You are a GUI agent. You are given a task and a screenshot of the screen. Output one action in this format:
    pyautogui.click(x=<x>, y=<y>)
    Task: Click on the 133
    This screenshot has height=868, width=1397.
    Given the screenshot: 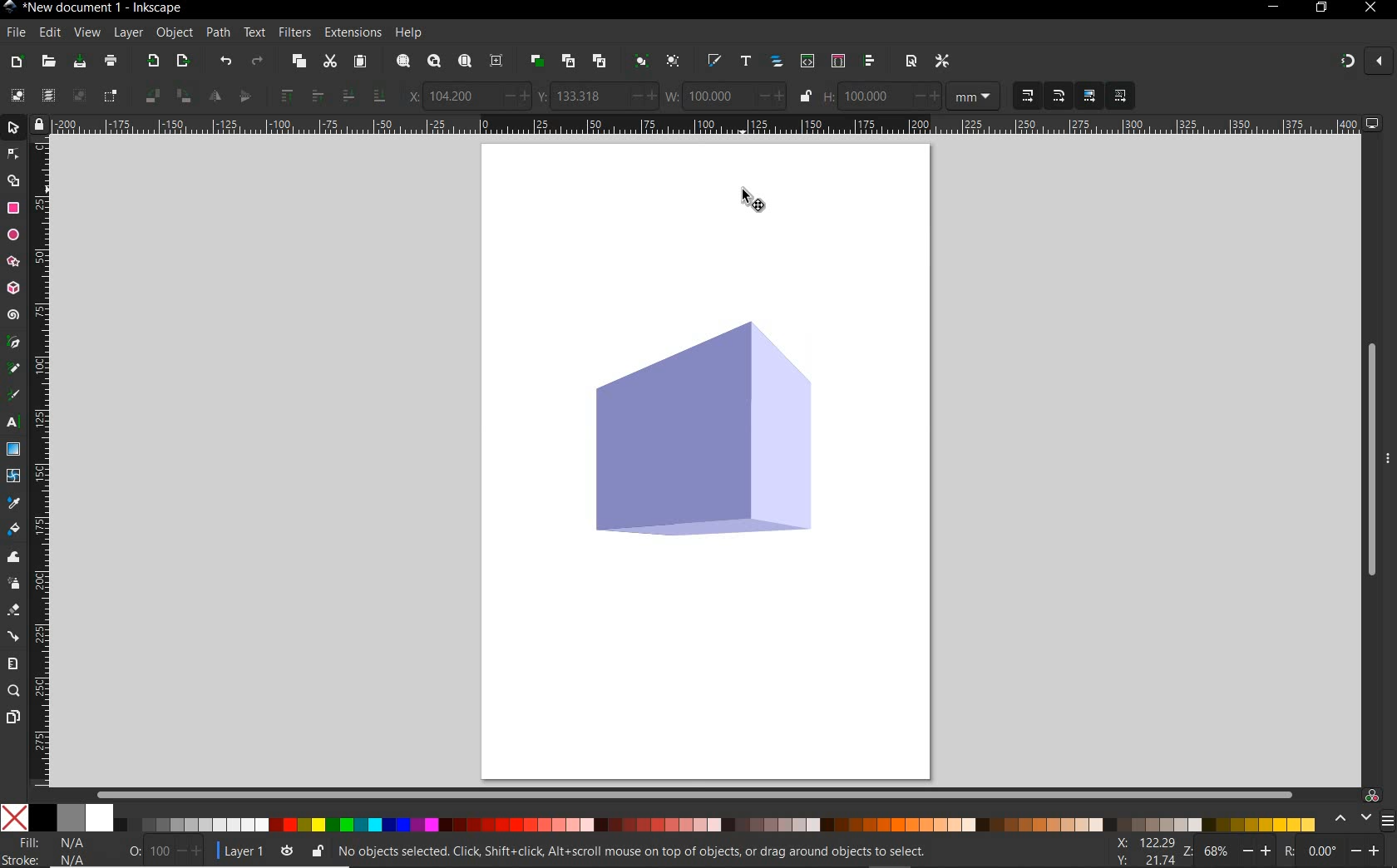 What is the action you would take?
    pyautogui.click(x=588, y=96)
    